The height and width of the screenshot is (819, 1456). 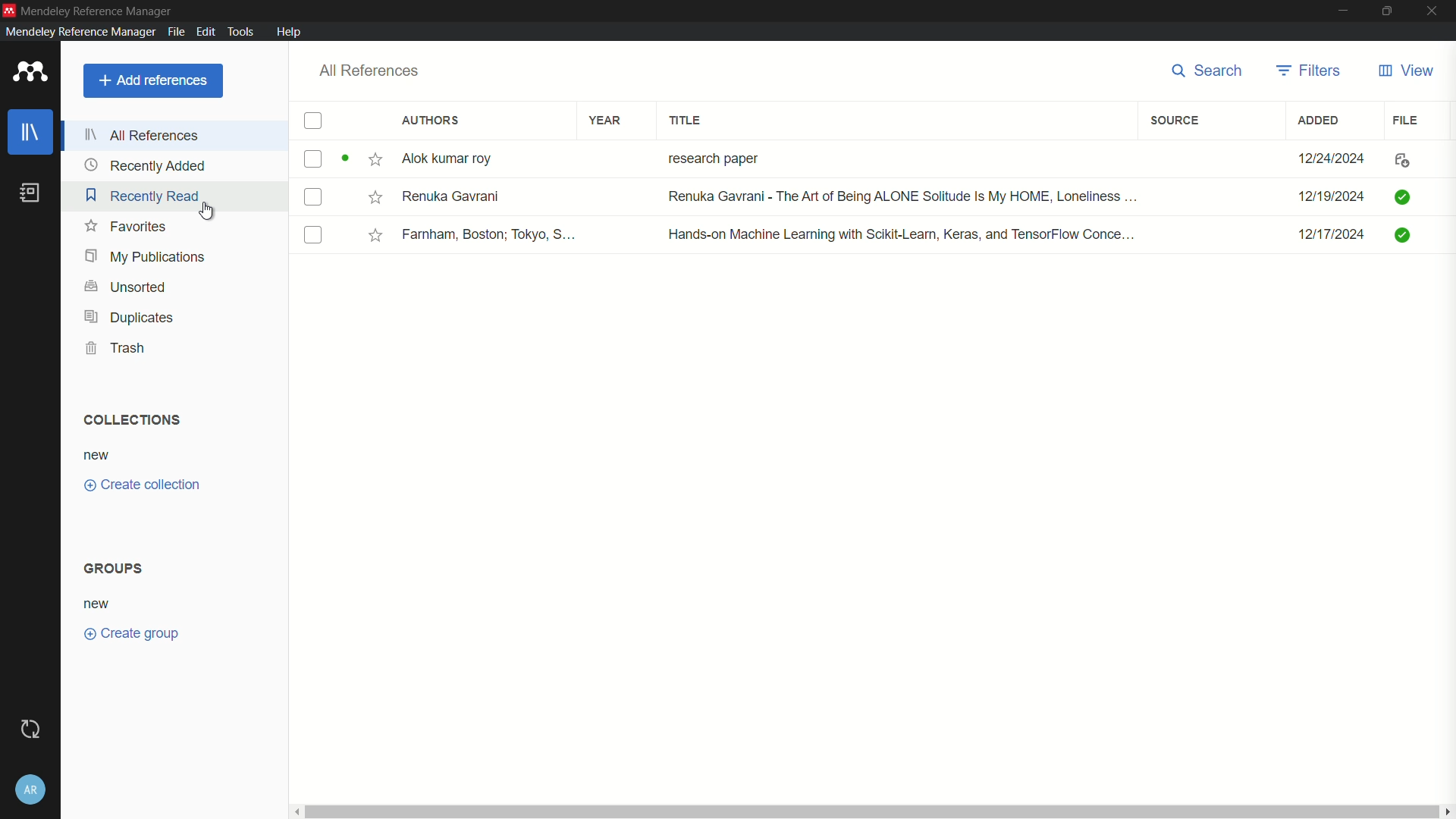 What do you see at coordinates (1323, 159) in the screenshot?
I see `12/24/2024` at bounding box center [1323, 159].